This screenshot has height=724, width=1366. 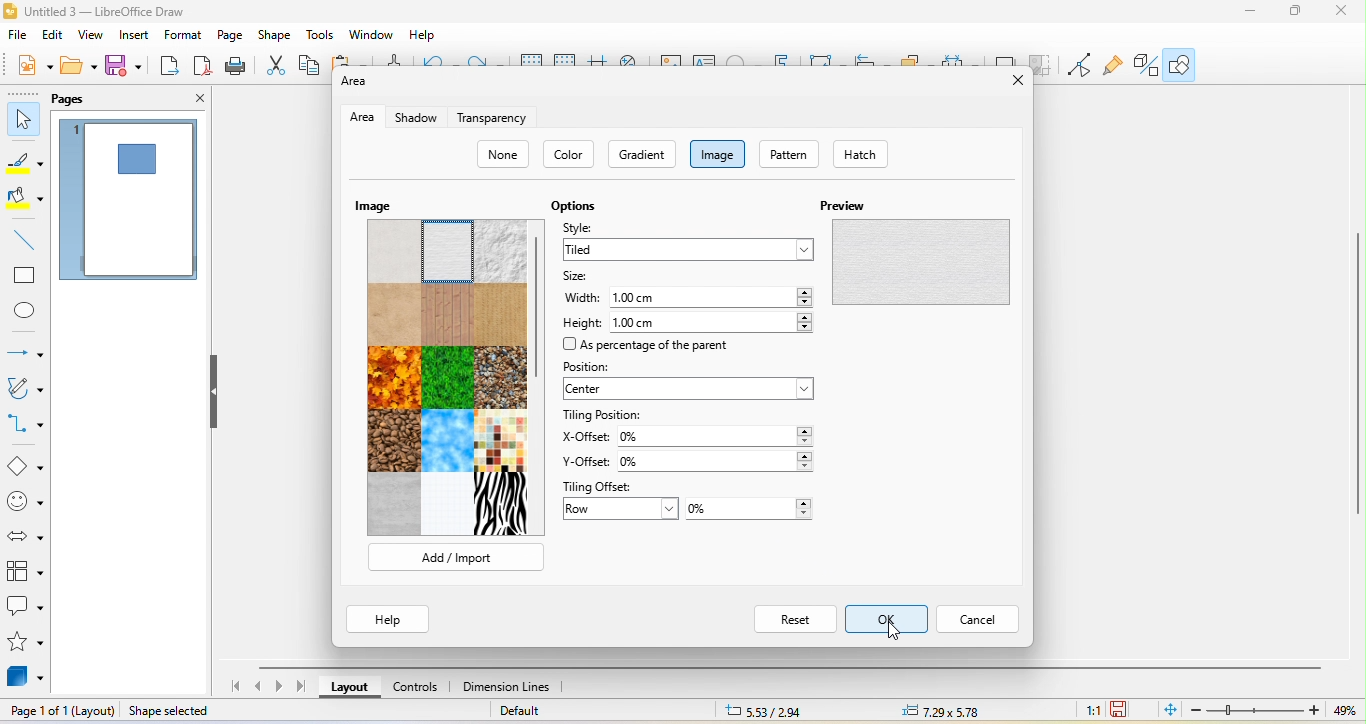 What do you see at coordinates (706, 60) in the screenshot?
I see `text box` at bounding box center [706, 60].